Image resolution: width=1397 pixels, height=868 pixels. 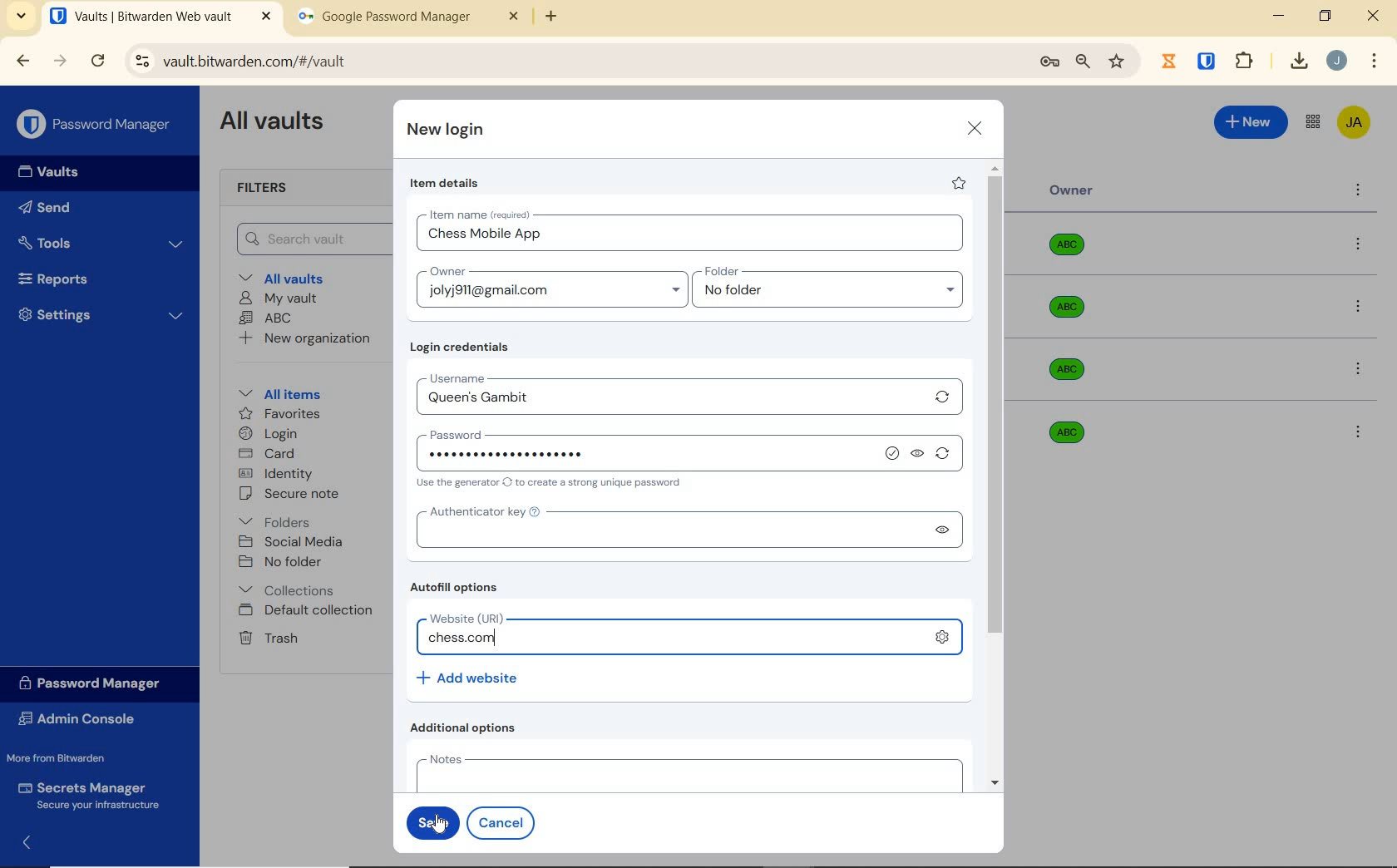 What do you see at coordinates (822, 272) in the screenshot?
I see `Folder` at bounding box center [822, 272].